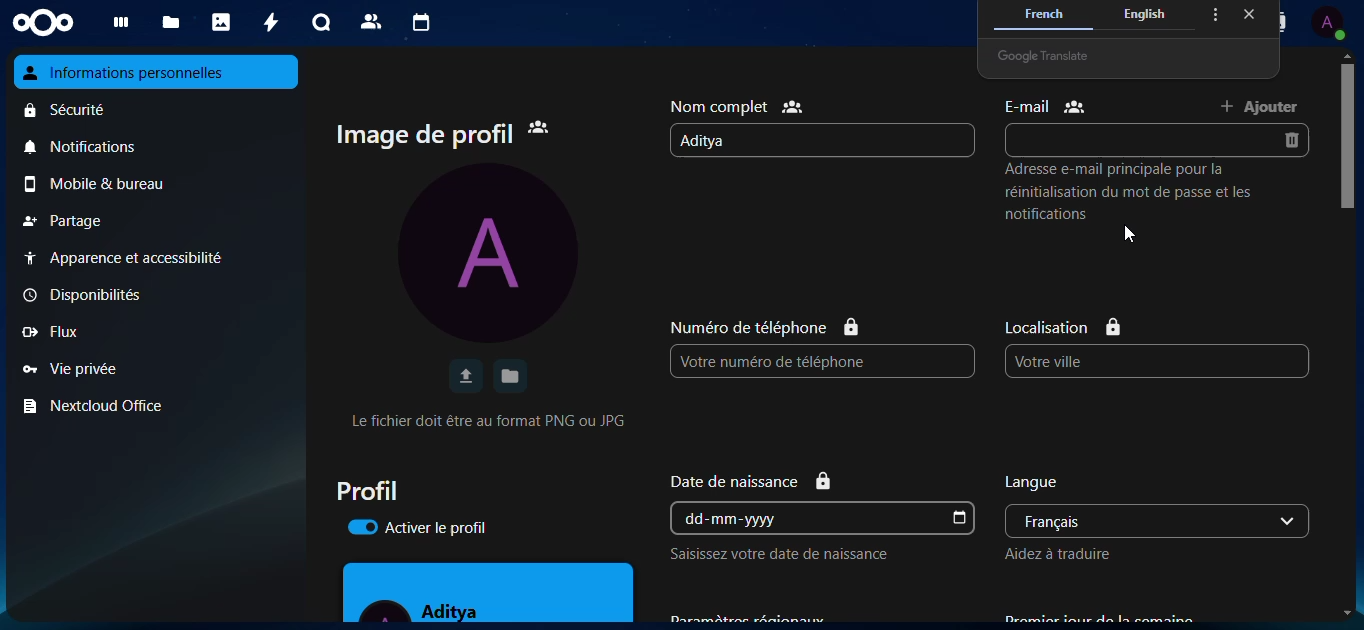 The height and width of the screenshot is (630, 1364). What do you see at coordinates (767, 479) in the screenshot?
I see `date of birth` at bounding box center [767, 479].